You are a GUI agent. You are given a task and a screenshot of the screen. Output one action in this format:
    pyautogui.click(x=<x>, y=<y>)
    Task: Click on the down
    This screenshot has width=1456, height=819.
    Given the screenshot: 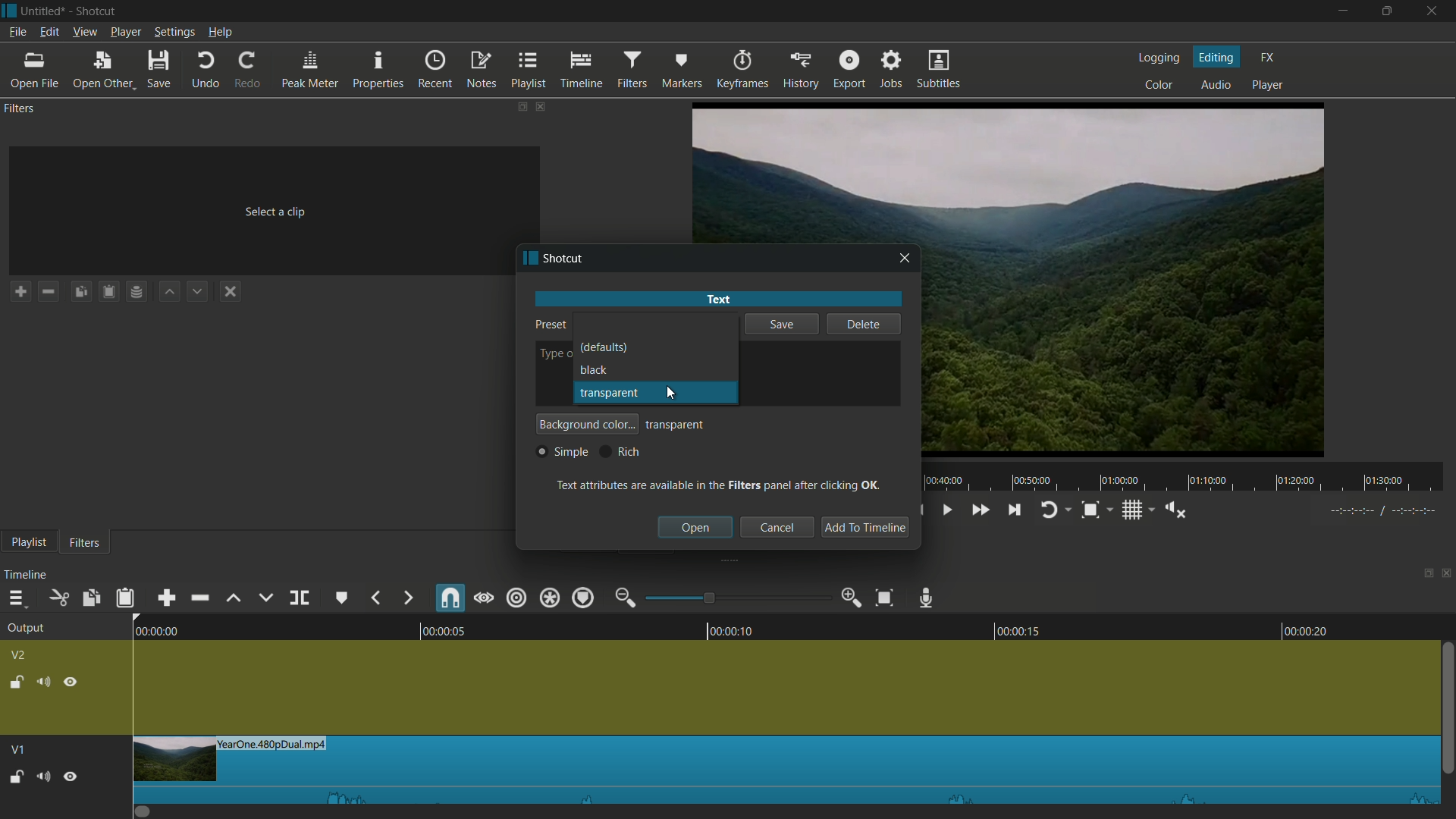 What is the action you would take?
    pyautogui.click(x=196, y=292)
    